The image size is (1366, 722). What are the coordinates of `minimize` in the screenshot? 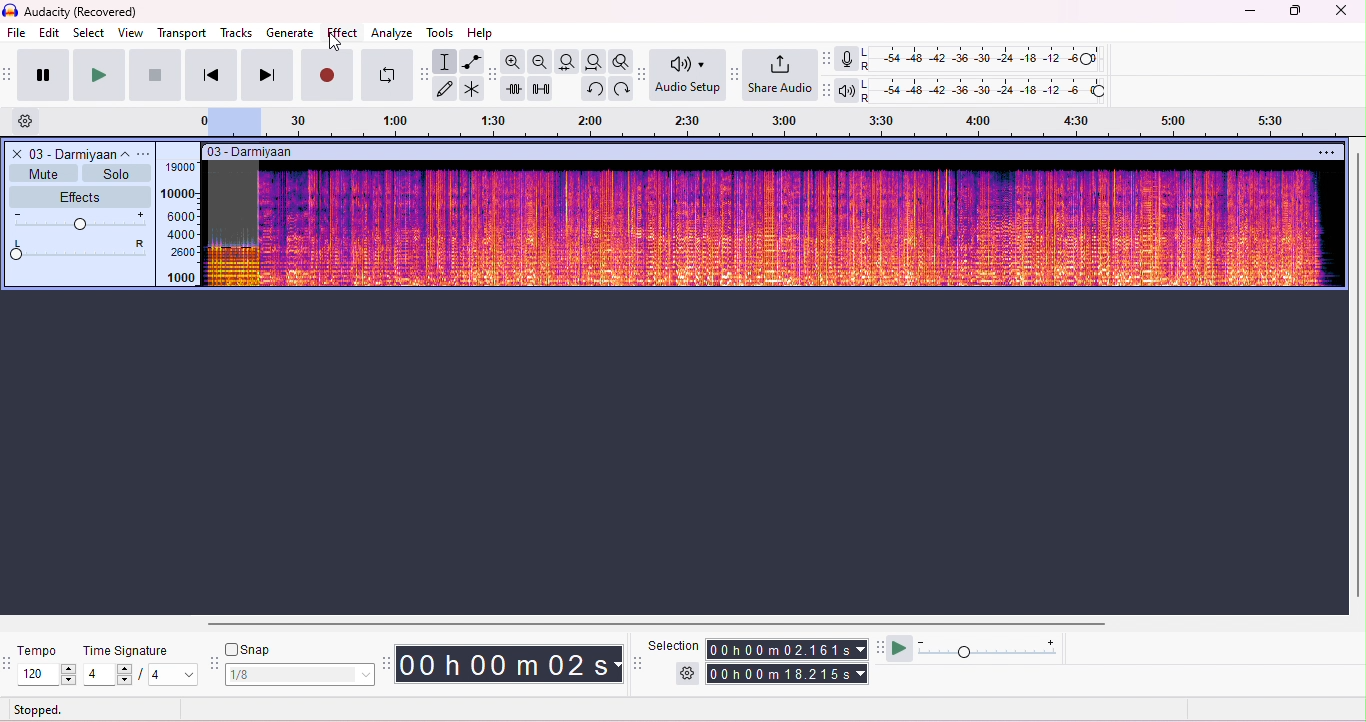 It's located at (1250, 14).